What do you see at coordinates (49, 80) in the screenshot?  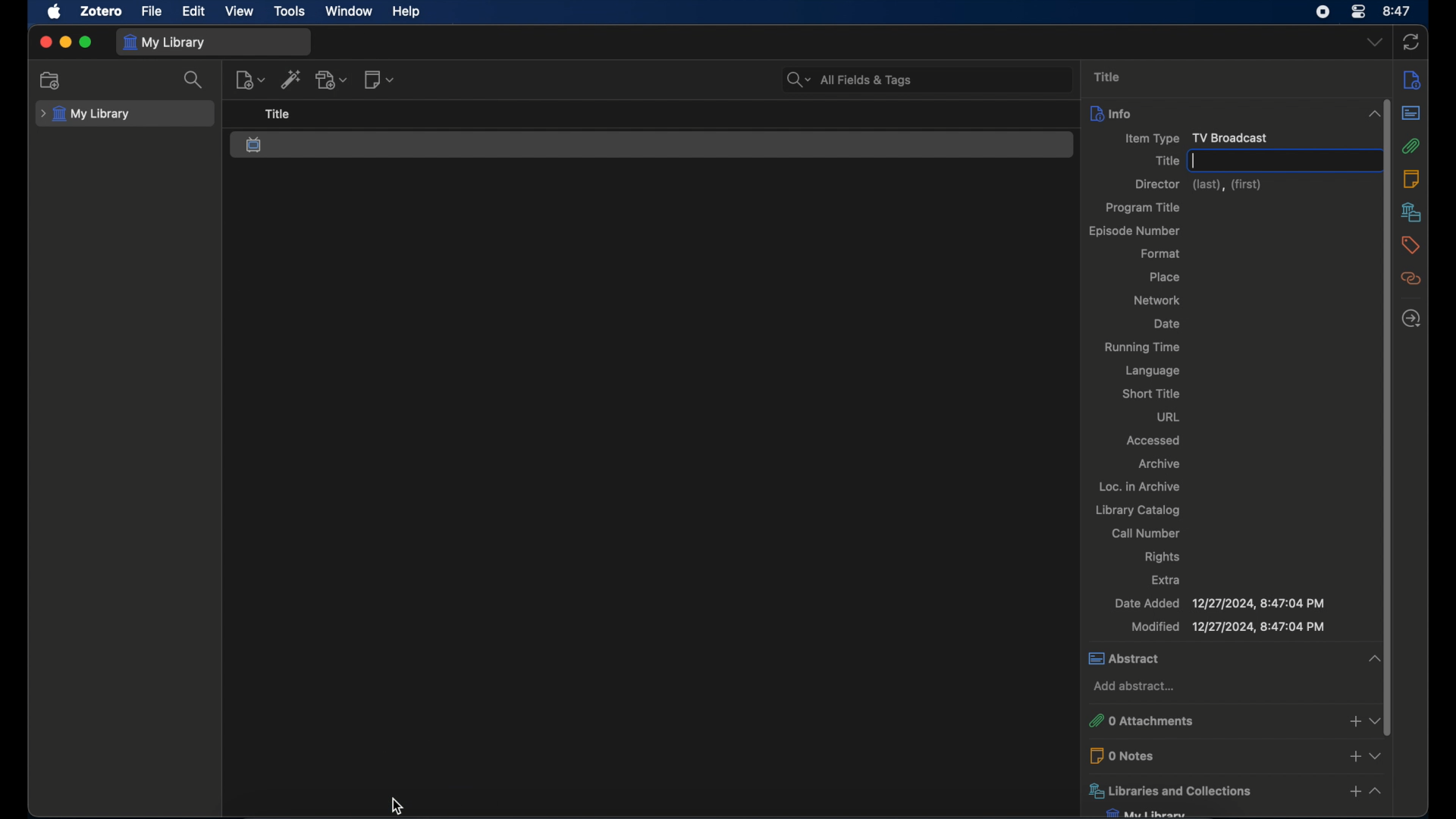 I see `new collection` at bounding box center [49, 80].